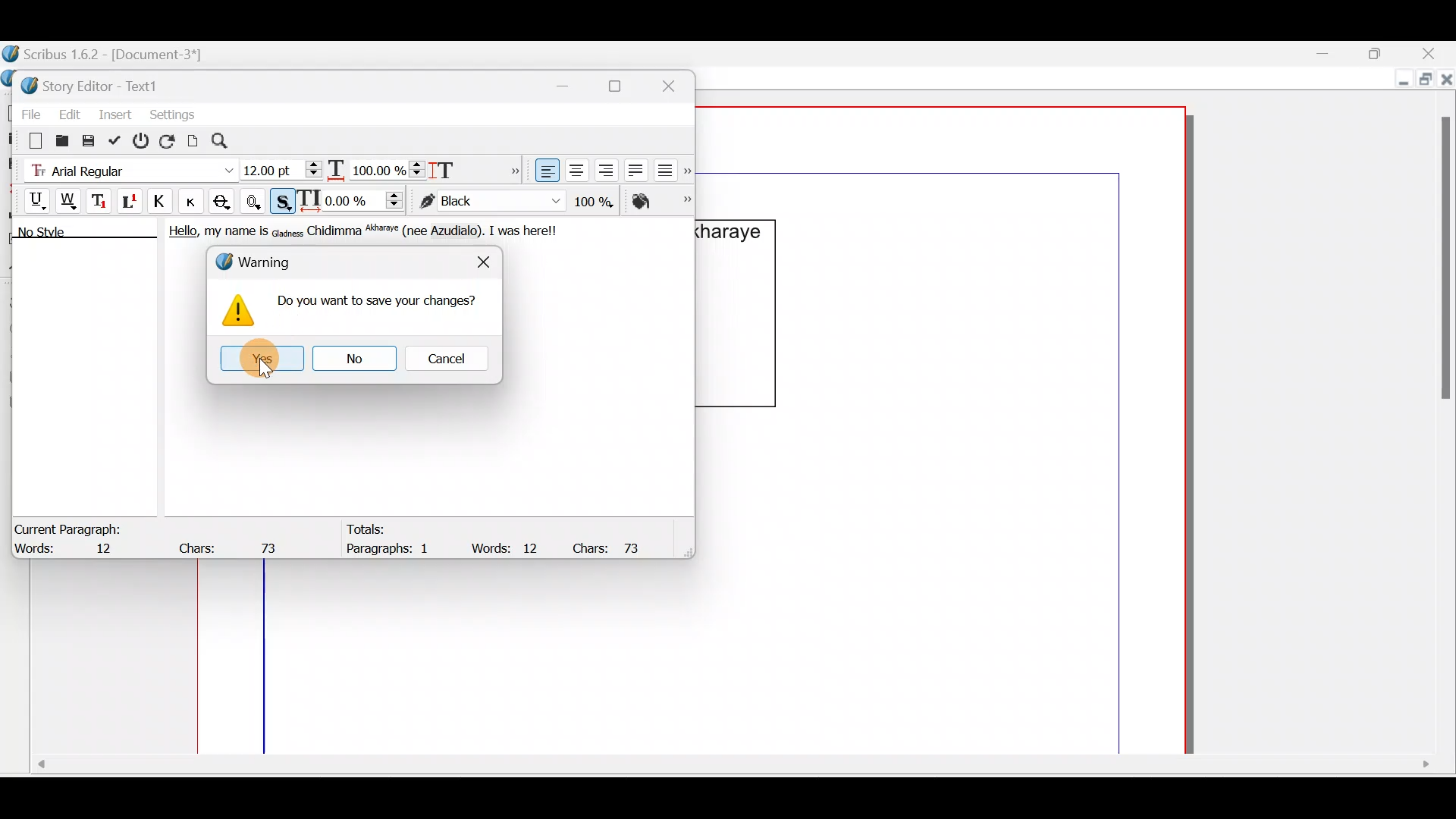  I want to click on Reload text from frame, so click(169, 140).